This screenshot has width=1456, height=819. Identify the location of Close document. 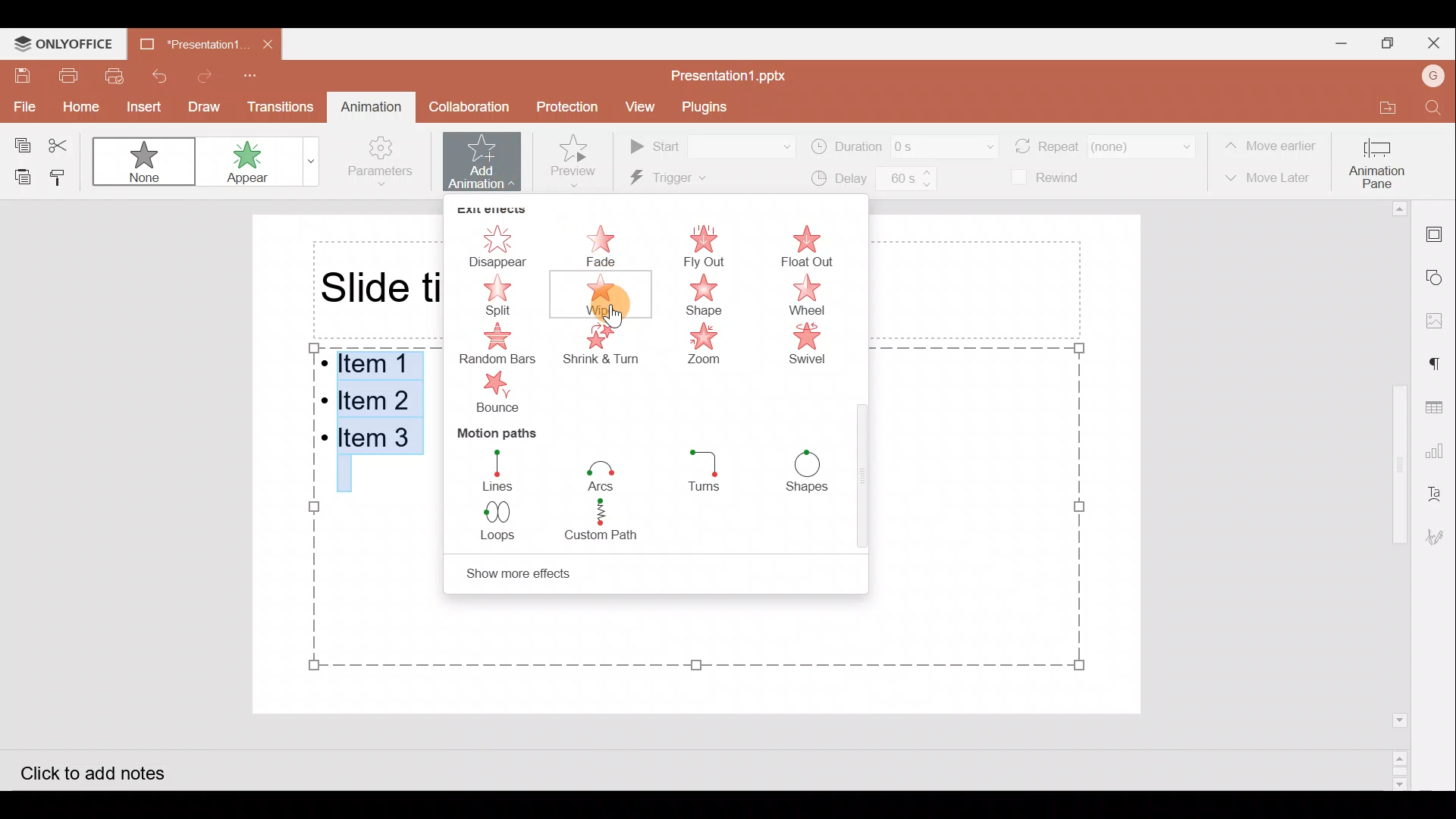
(264, 42).